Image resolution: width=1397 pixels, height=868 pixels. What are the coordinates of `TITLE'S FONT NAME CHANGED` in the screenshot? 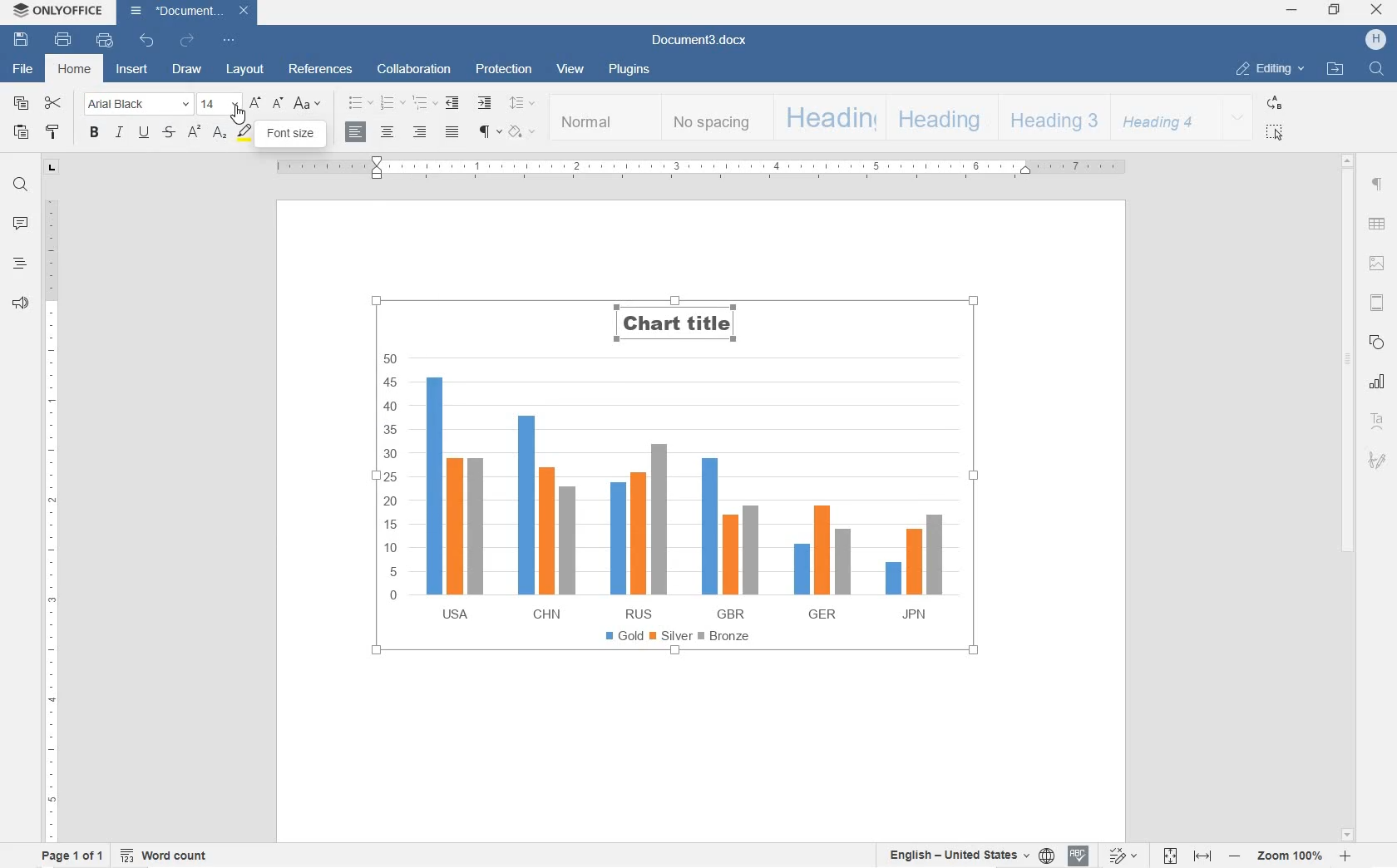 It's located at (683, 327).